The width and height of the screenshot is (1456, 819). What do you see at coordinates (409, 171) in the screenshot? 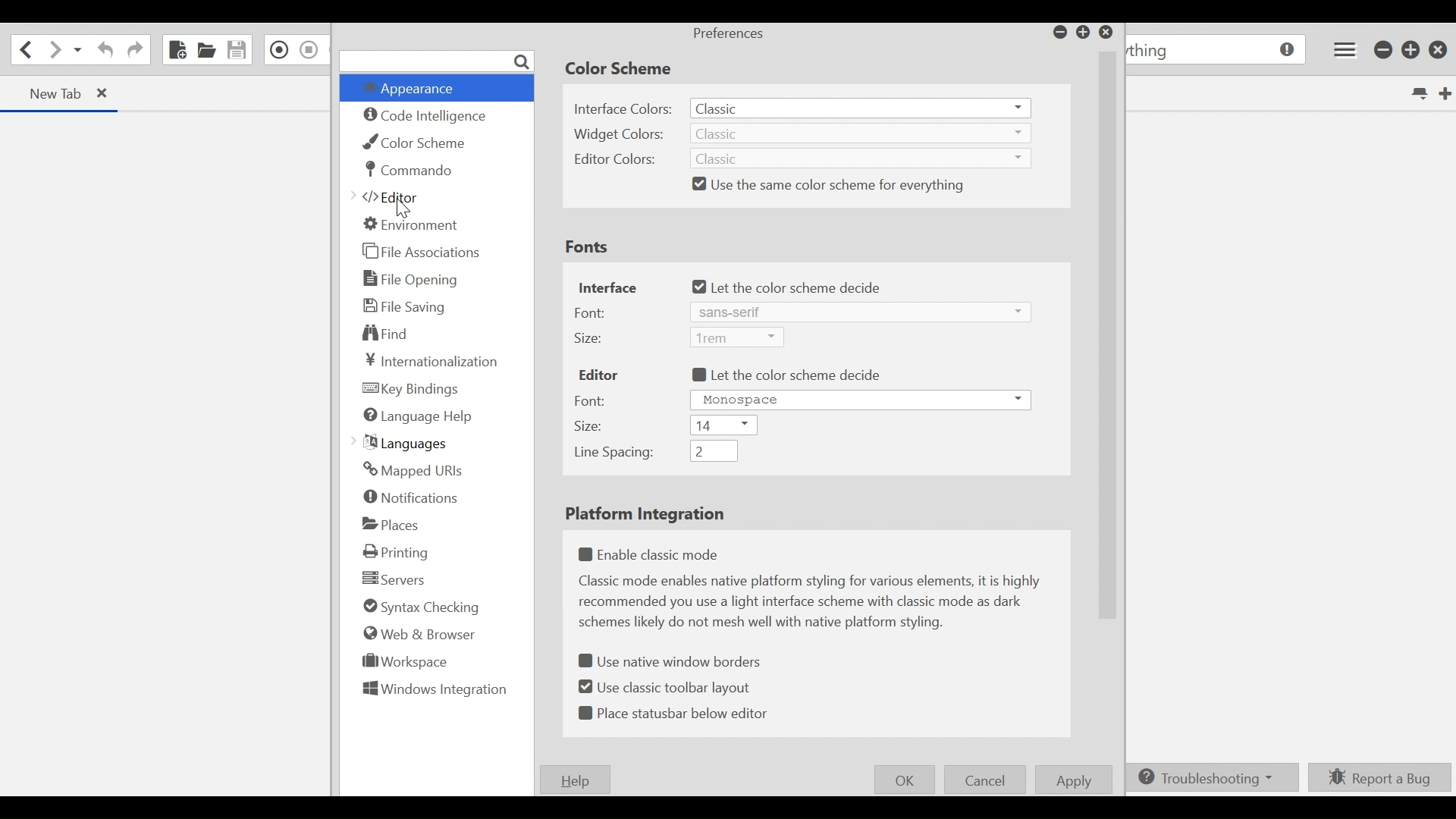
I see `Commando` at bounding box center [409, 171].